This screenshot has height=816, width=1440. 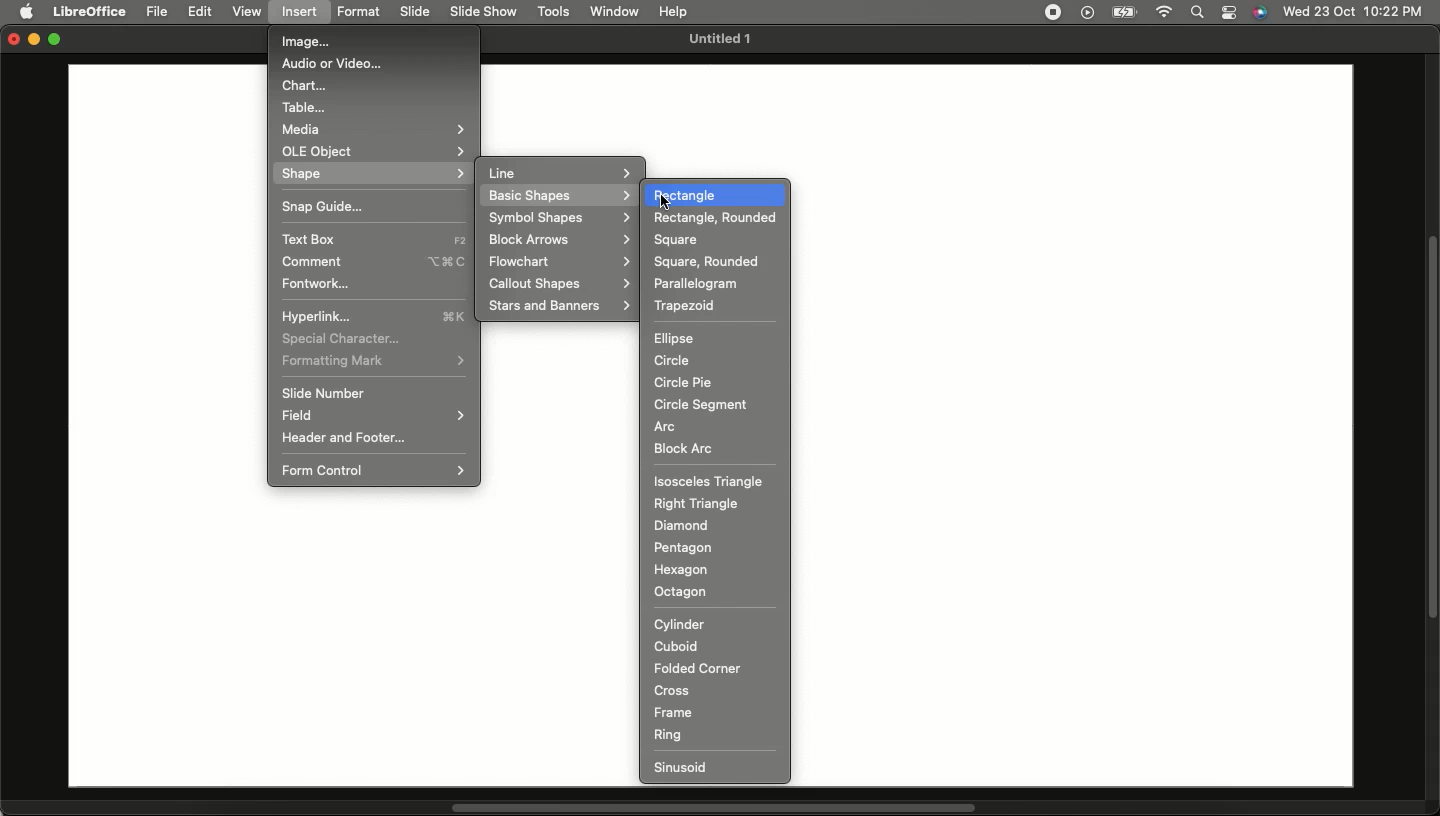 What do you see at coordinates (377, 150) in the screenshot?
I see `OLE object` at bounding box center [377, 150].